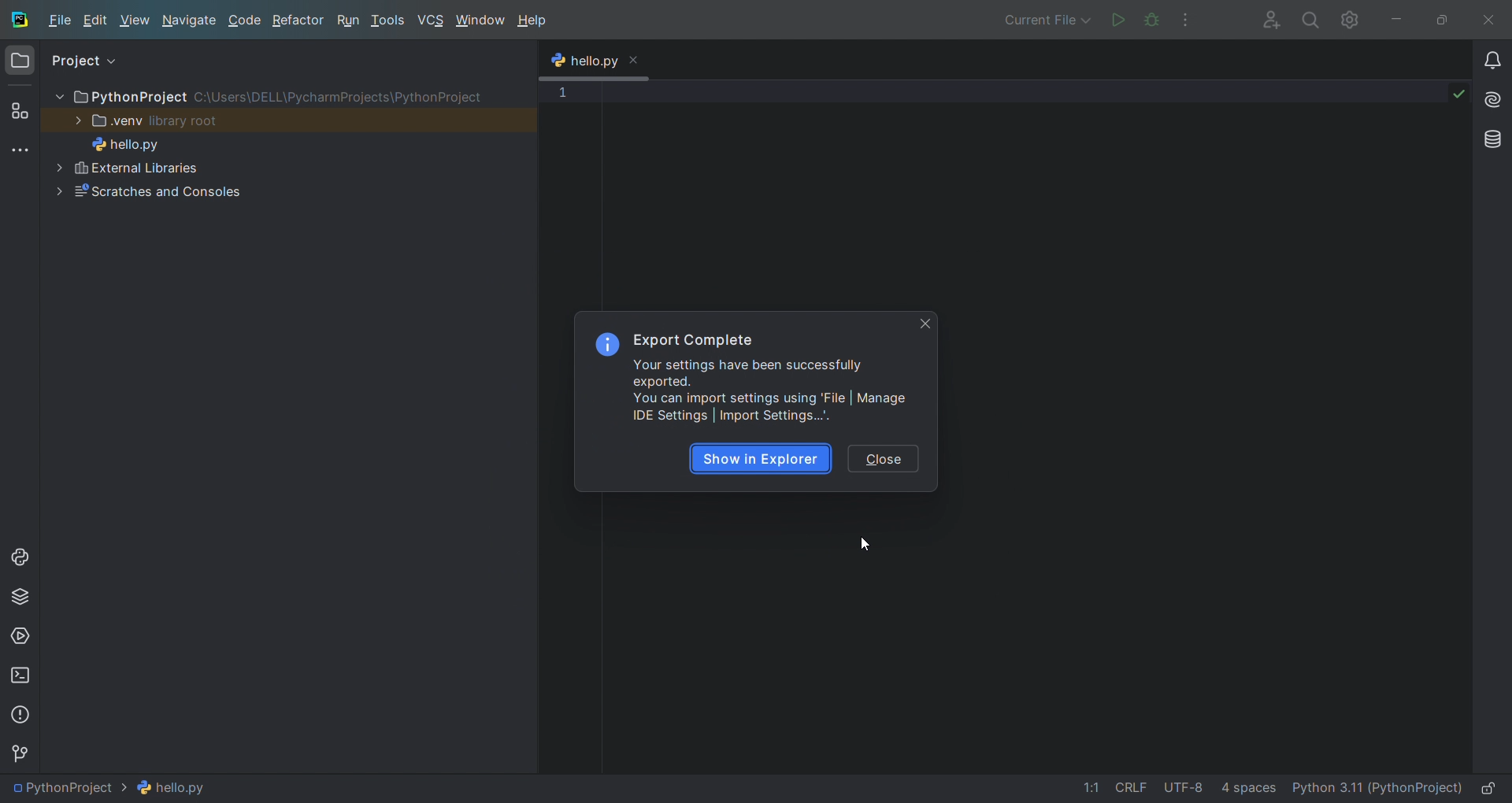  What do you see at coordinates (748, 373) in the screenshot?
I see `Your settings have been successfully exported.` at bounding box center [748, 373].